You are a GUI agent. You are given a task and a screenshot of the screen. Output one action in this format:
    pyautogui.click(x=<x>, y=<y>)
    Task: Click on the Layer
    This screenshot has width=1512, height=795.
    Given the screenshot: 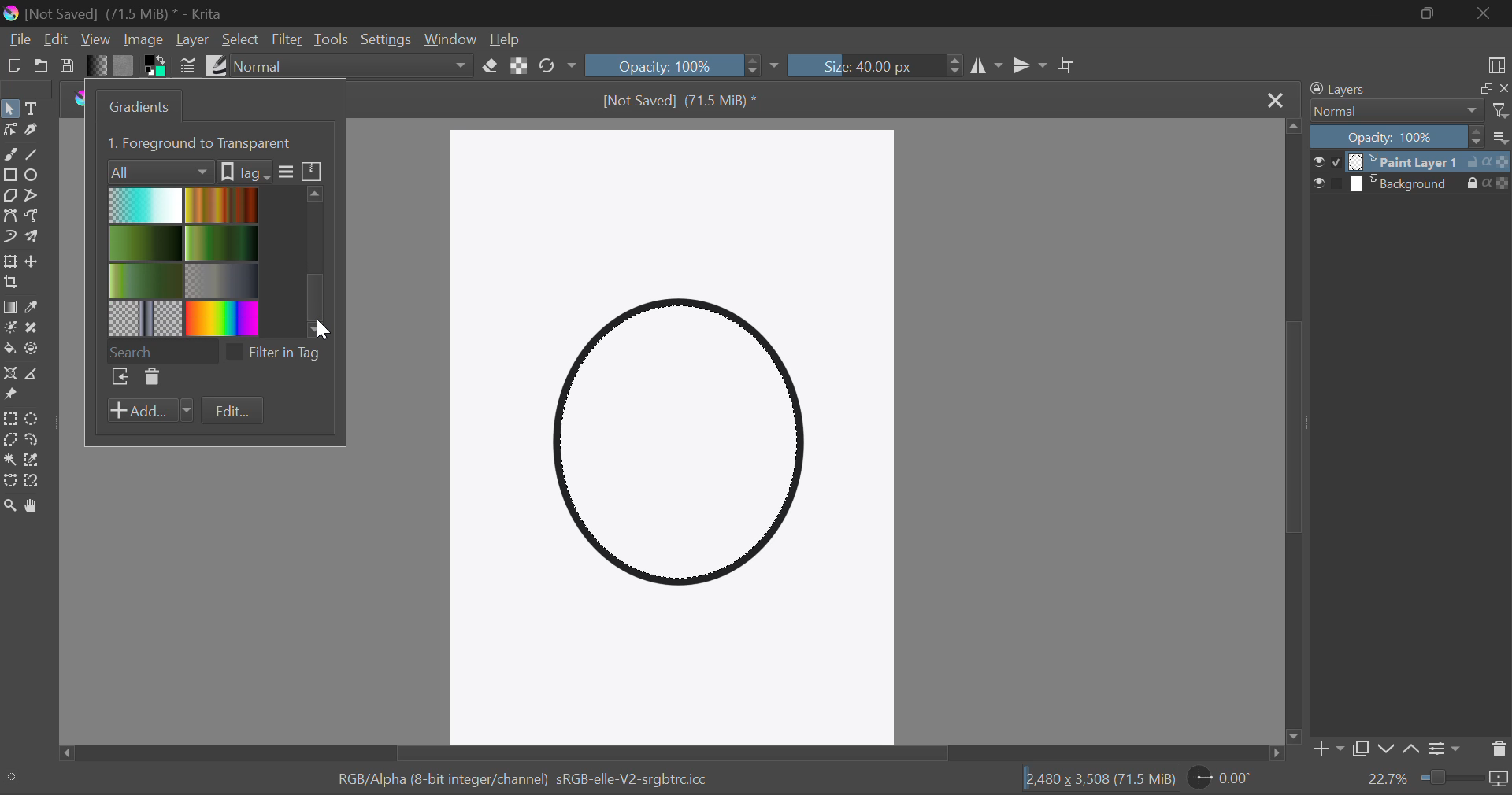 What is the action you would take?
    pyautogui.click(x=193, y=40)
    